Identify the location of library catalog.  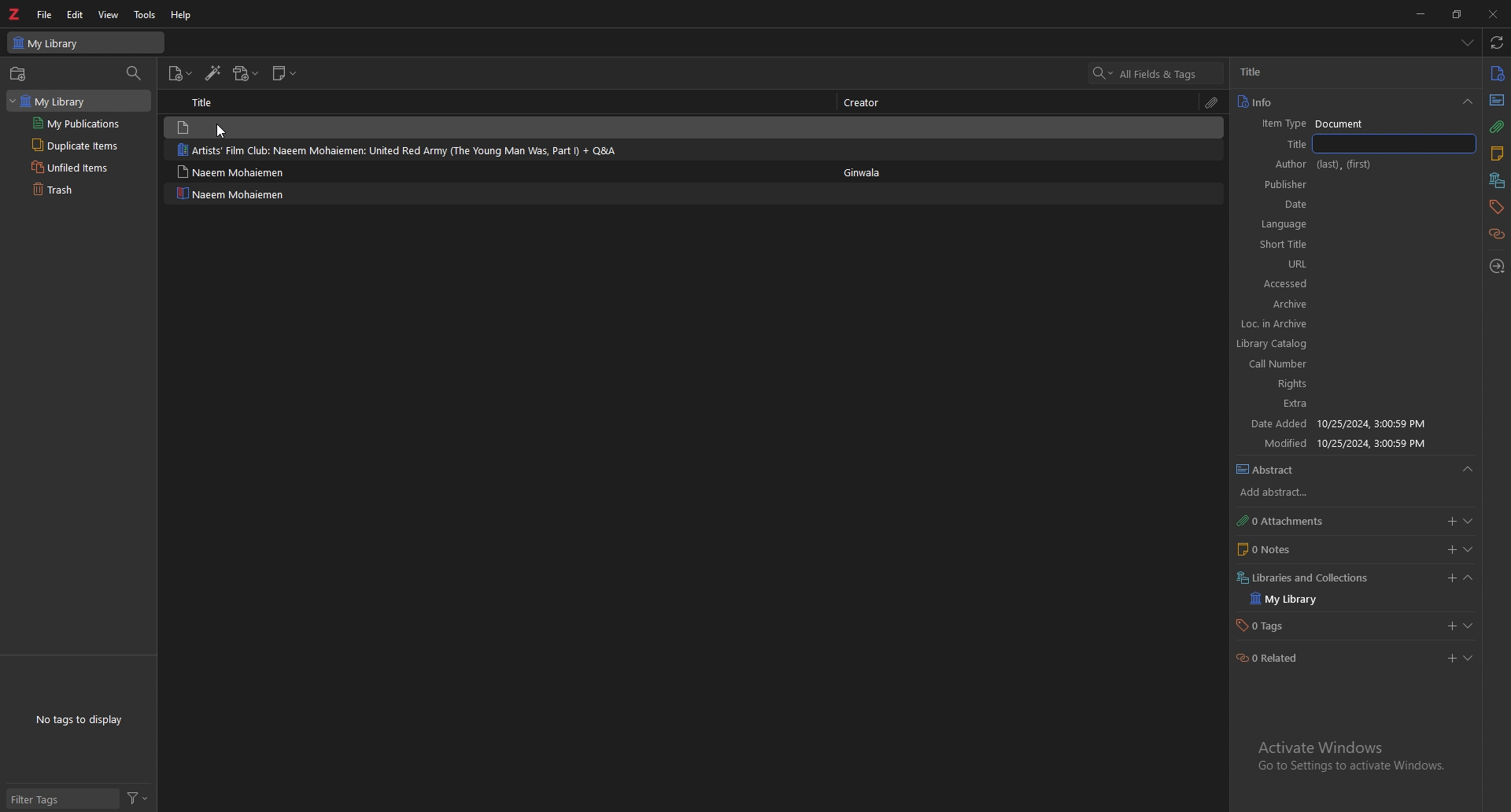
(1280, 526).